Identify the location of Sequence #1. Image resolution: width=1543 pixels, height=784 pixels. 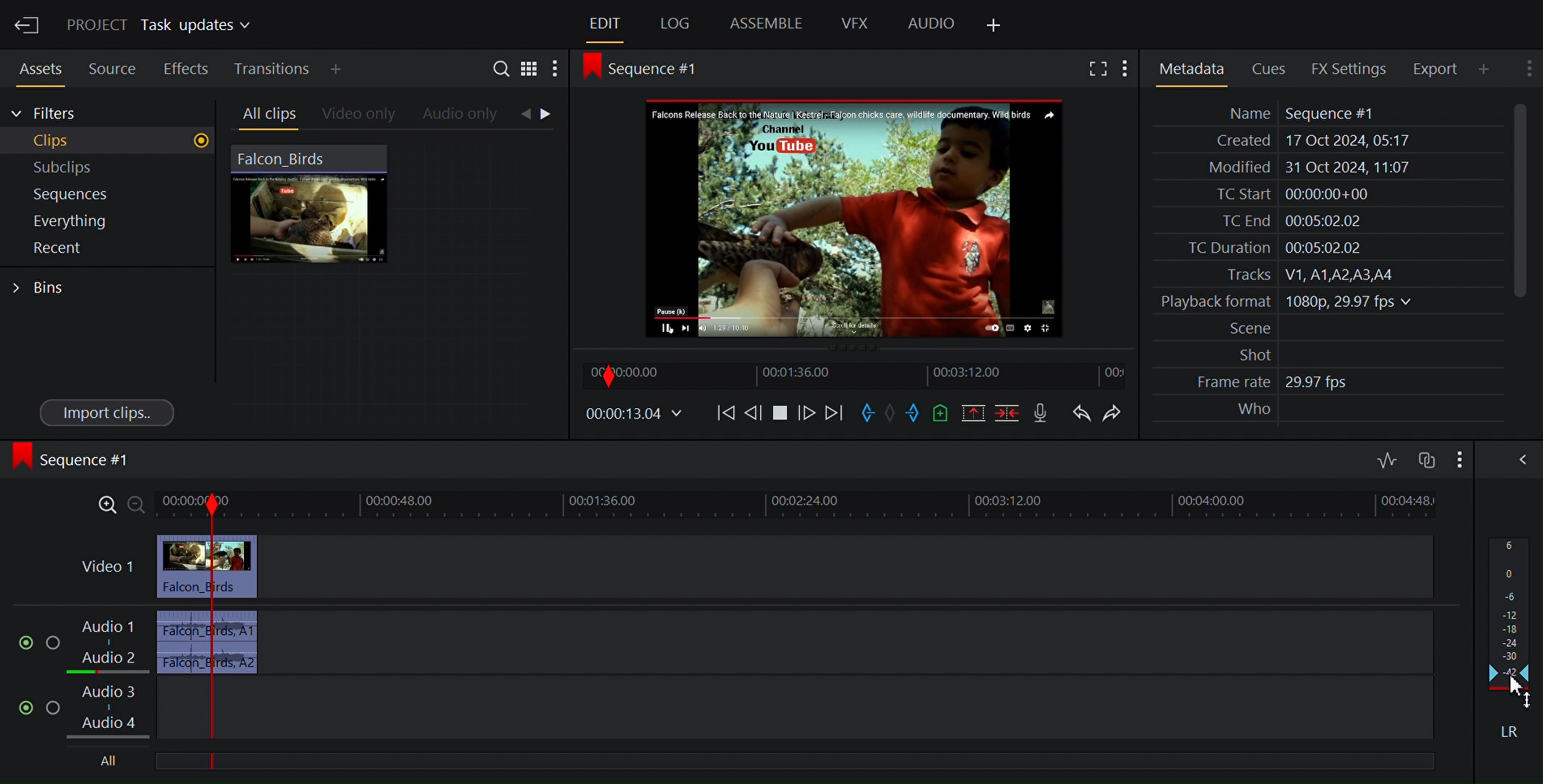
(75, 462).